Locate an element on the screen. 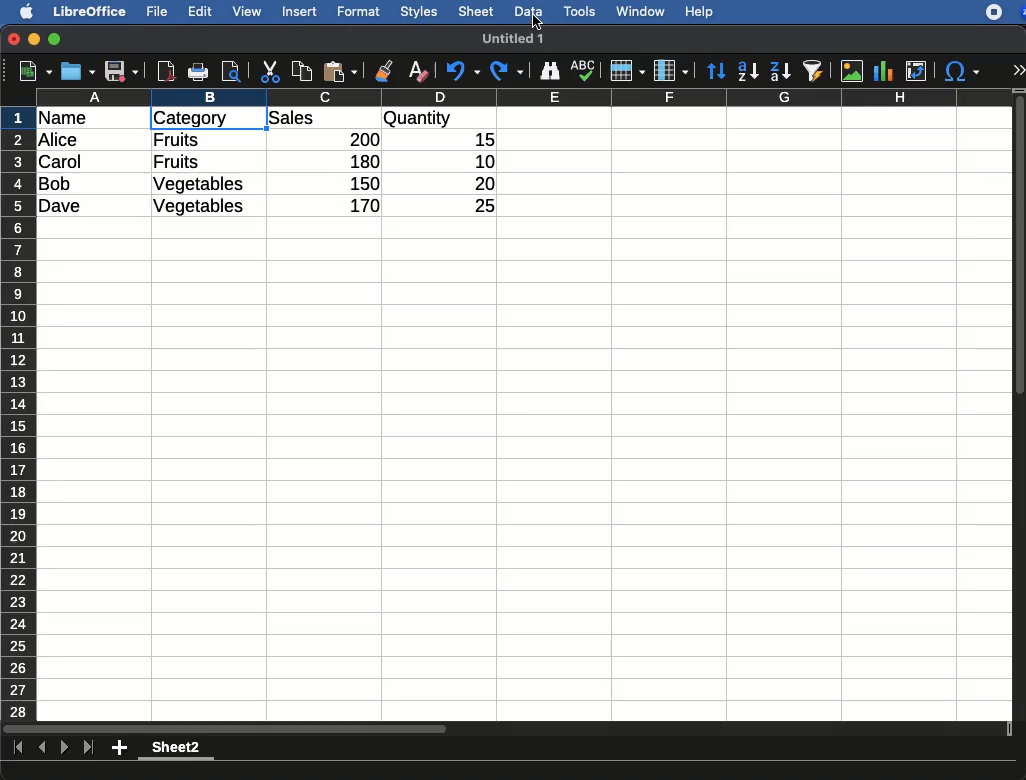  170 is located at coordinates (359, 206).